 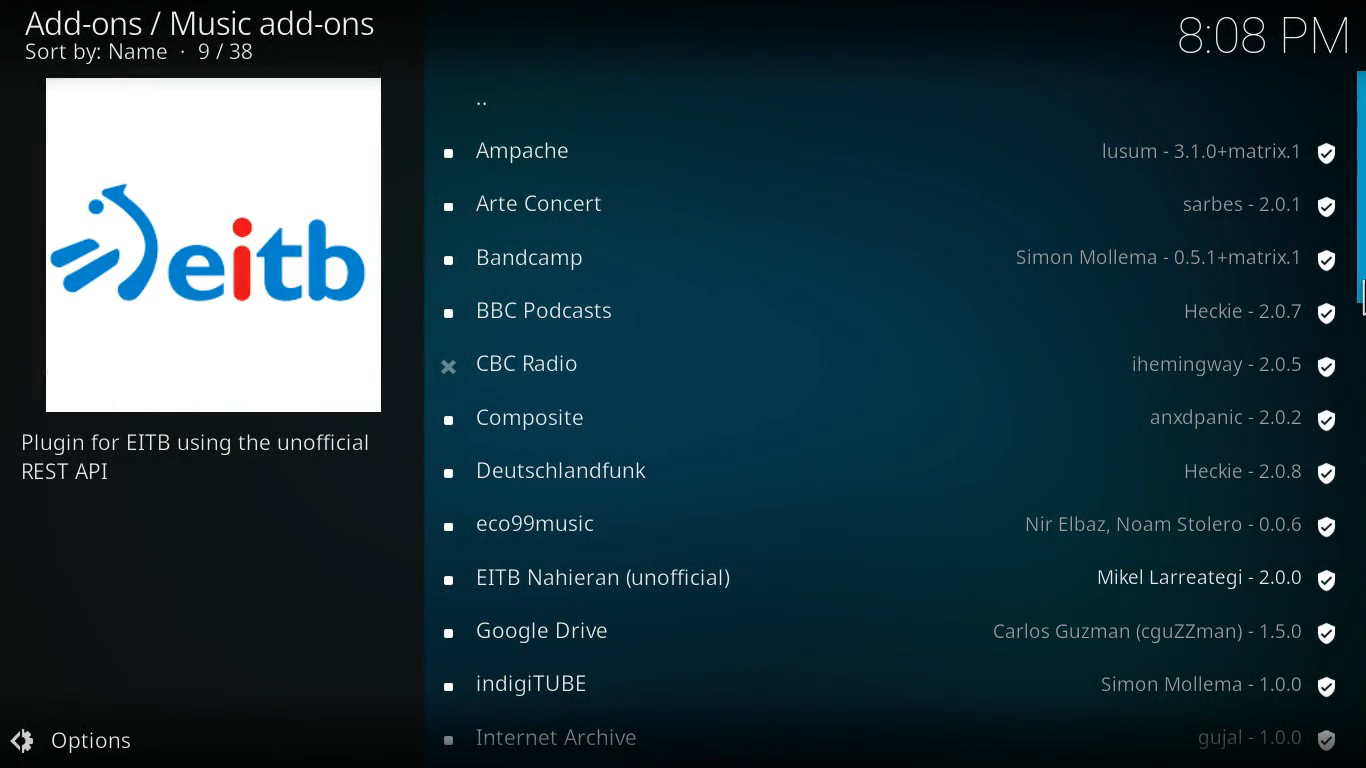 What do you see at coordinates (1216, 579) in the screenshot?
I see `provide` at bounding box center [1216, 579].